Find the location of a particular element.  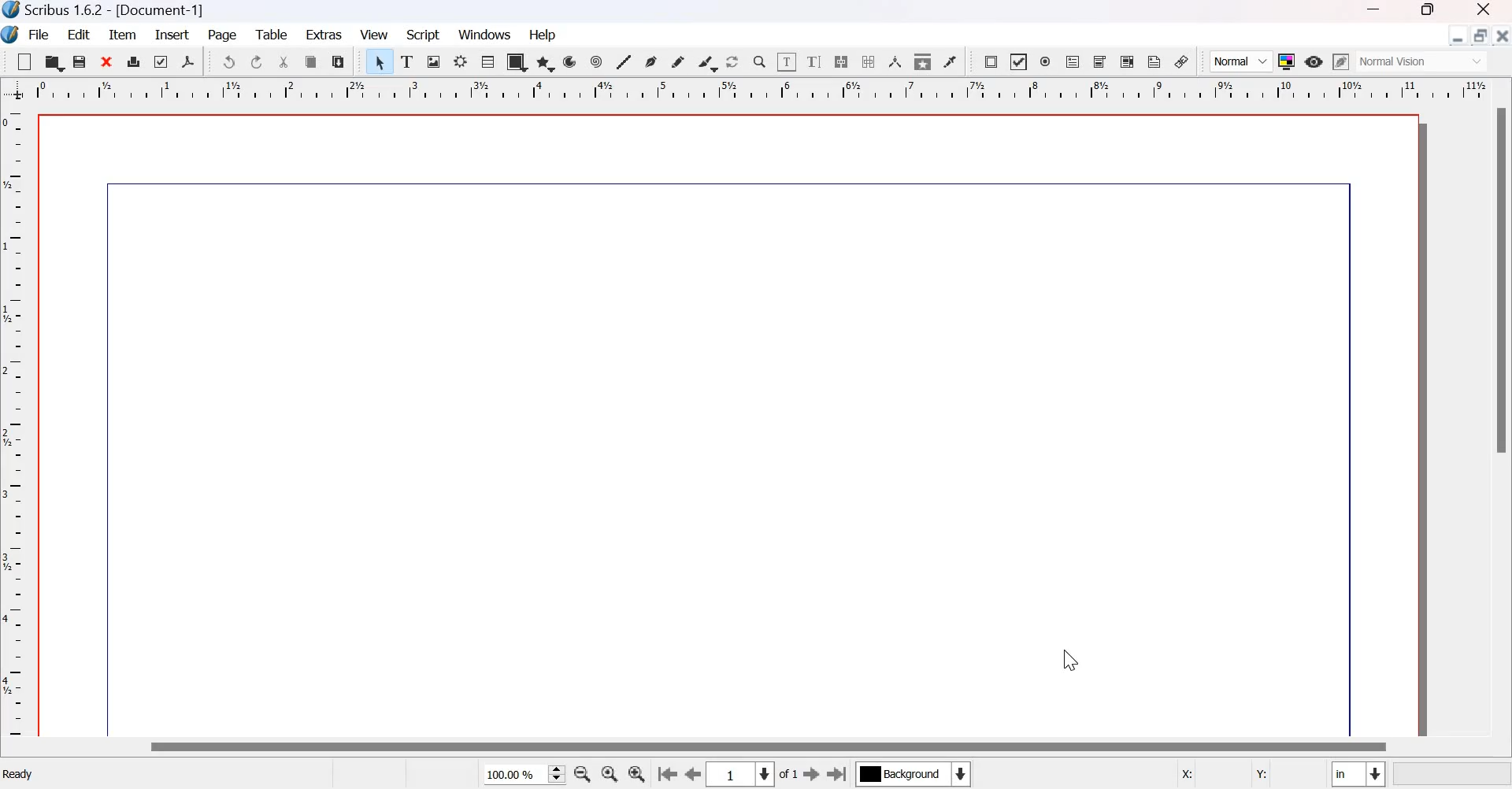

help is located at coordinates (543, 33).